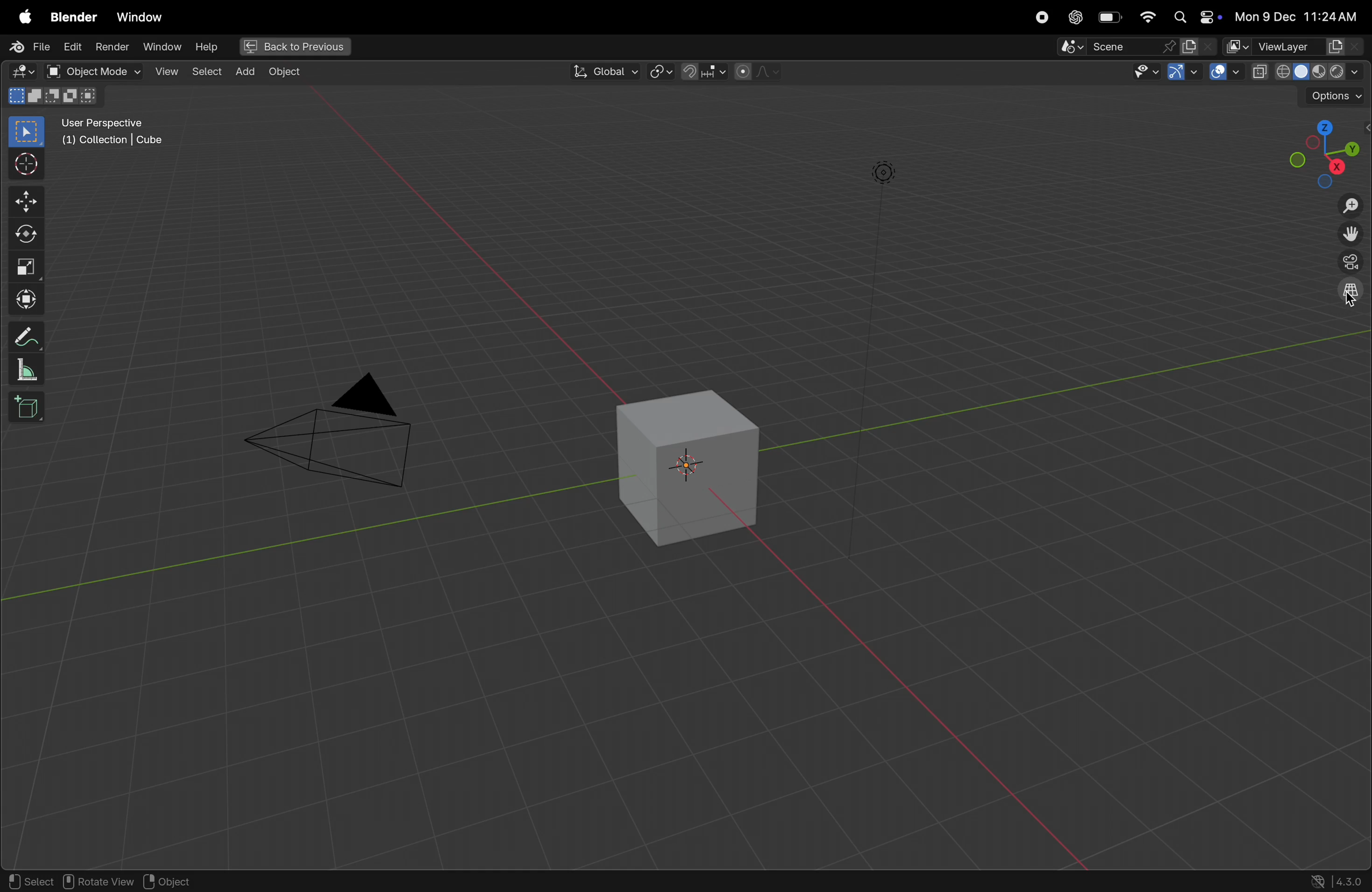 This screenshot has height=892, width=1372. I want to click on move the view, so click(1351, 235).